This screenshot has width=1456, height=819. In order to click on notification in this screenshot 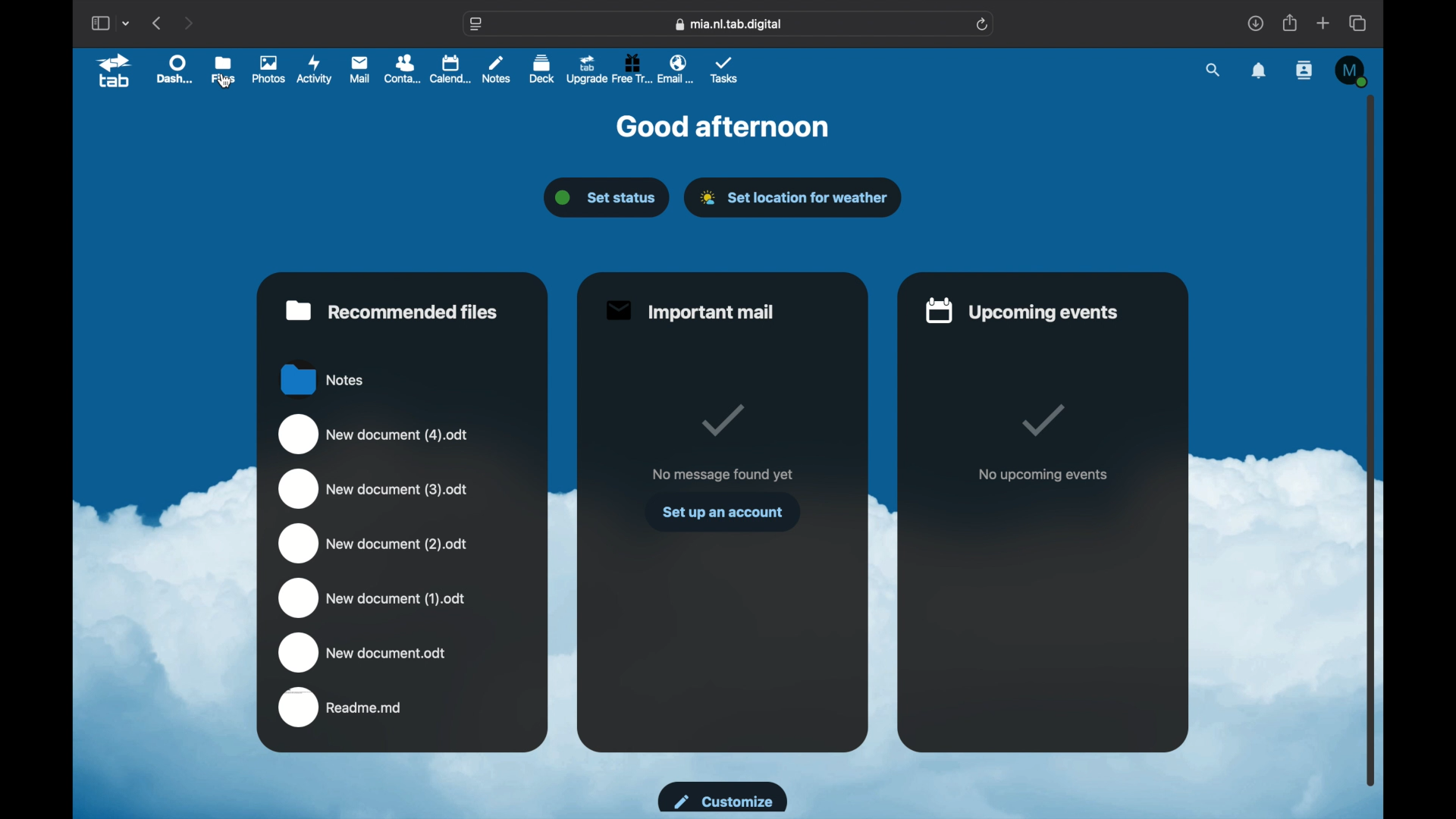, I will do `click(1260, 71)`.